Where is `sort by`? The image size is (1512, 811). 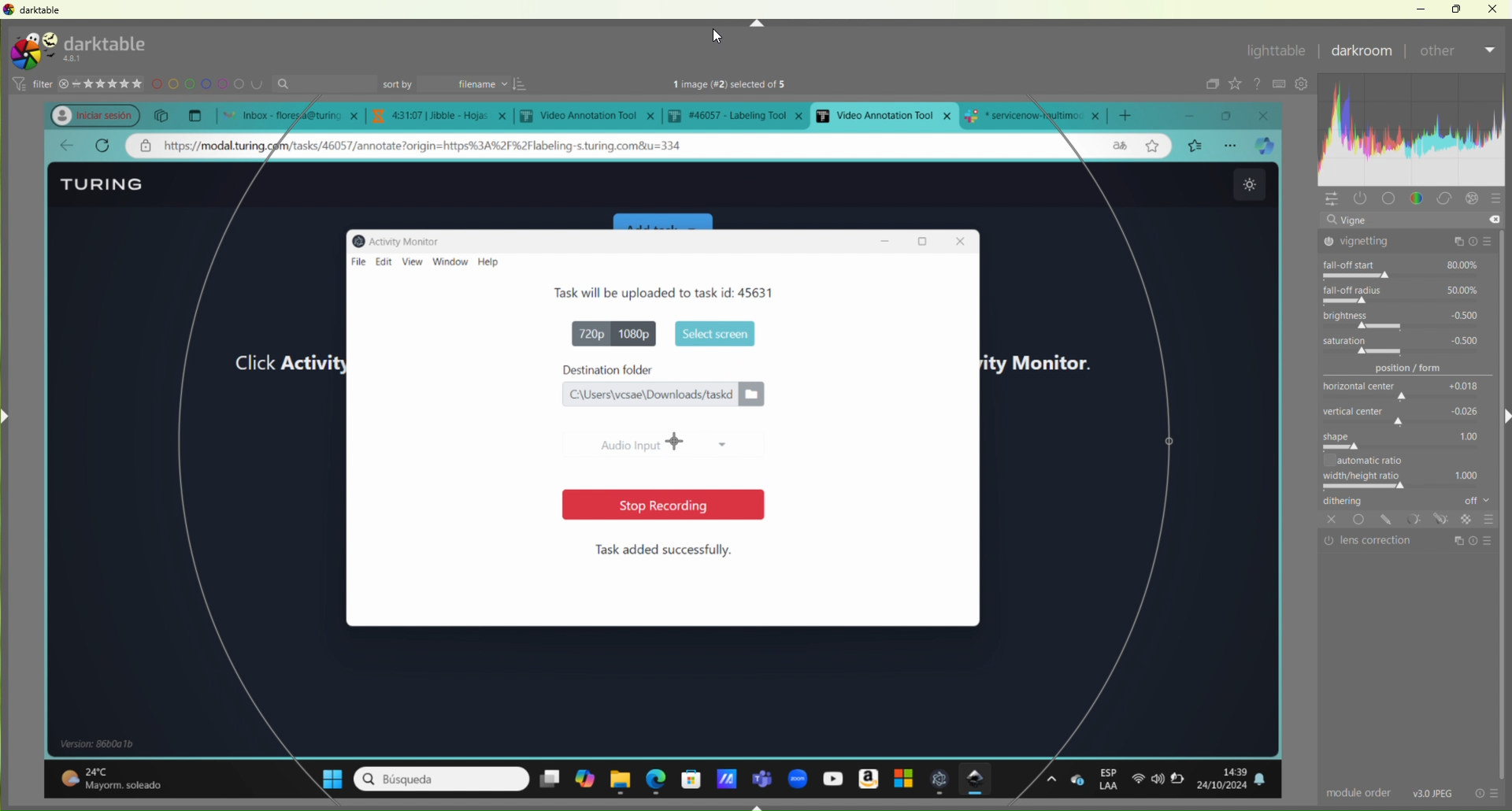
sort by is located at coordinates (454, 83).